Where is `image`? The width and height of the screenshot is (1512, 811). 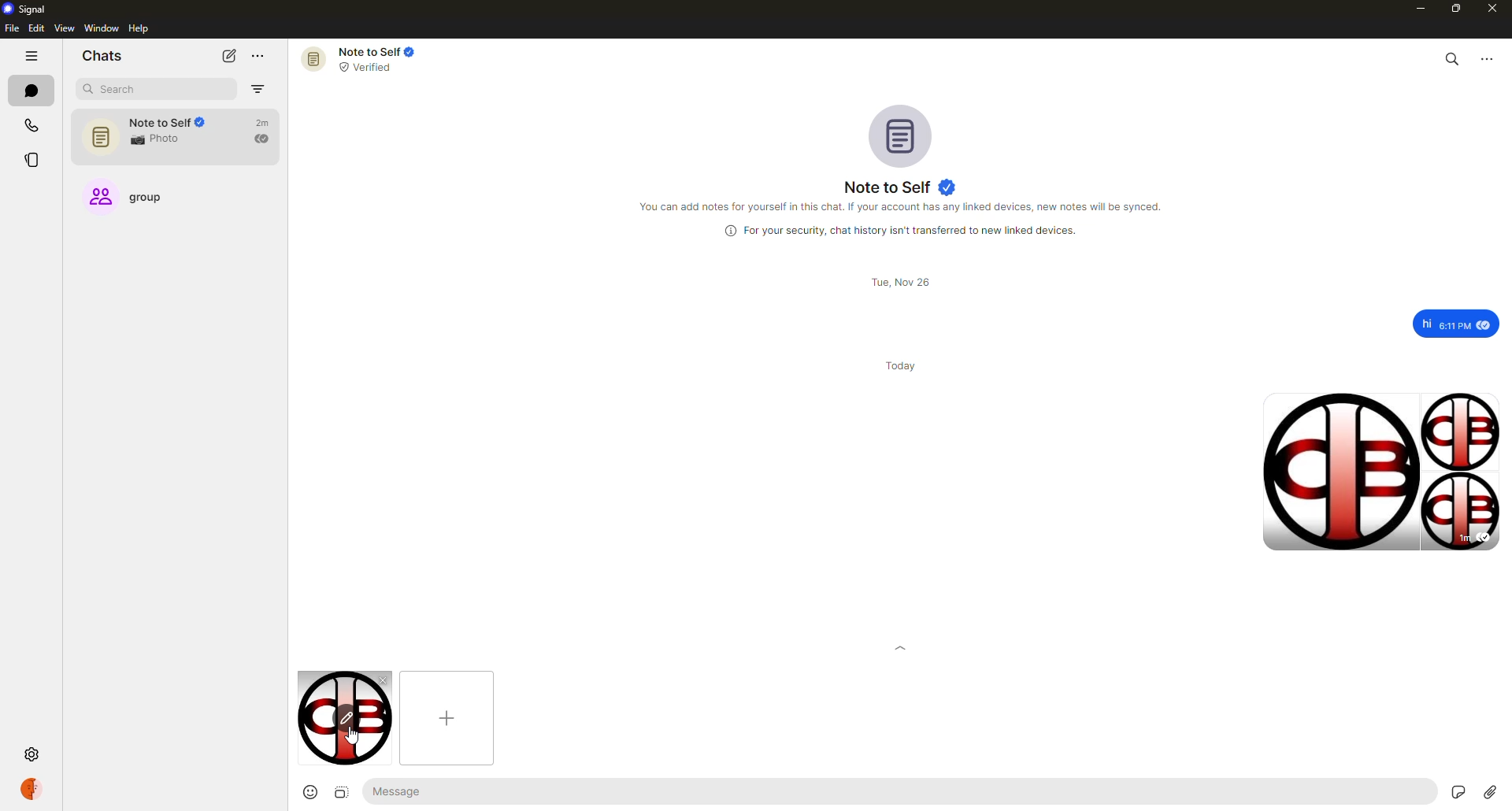 image is located at coordinates (339, 792).